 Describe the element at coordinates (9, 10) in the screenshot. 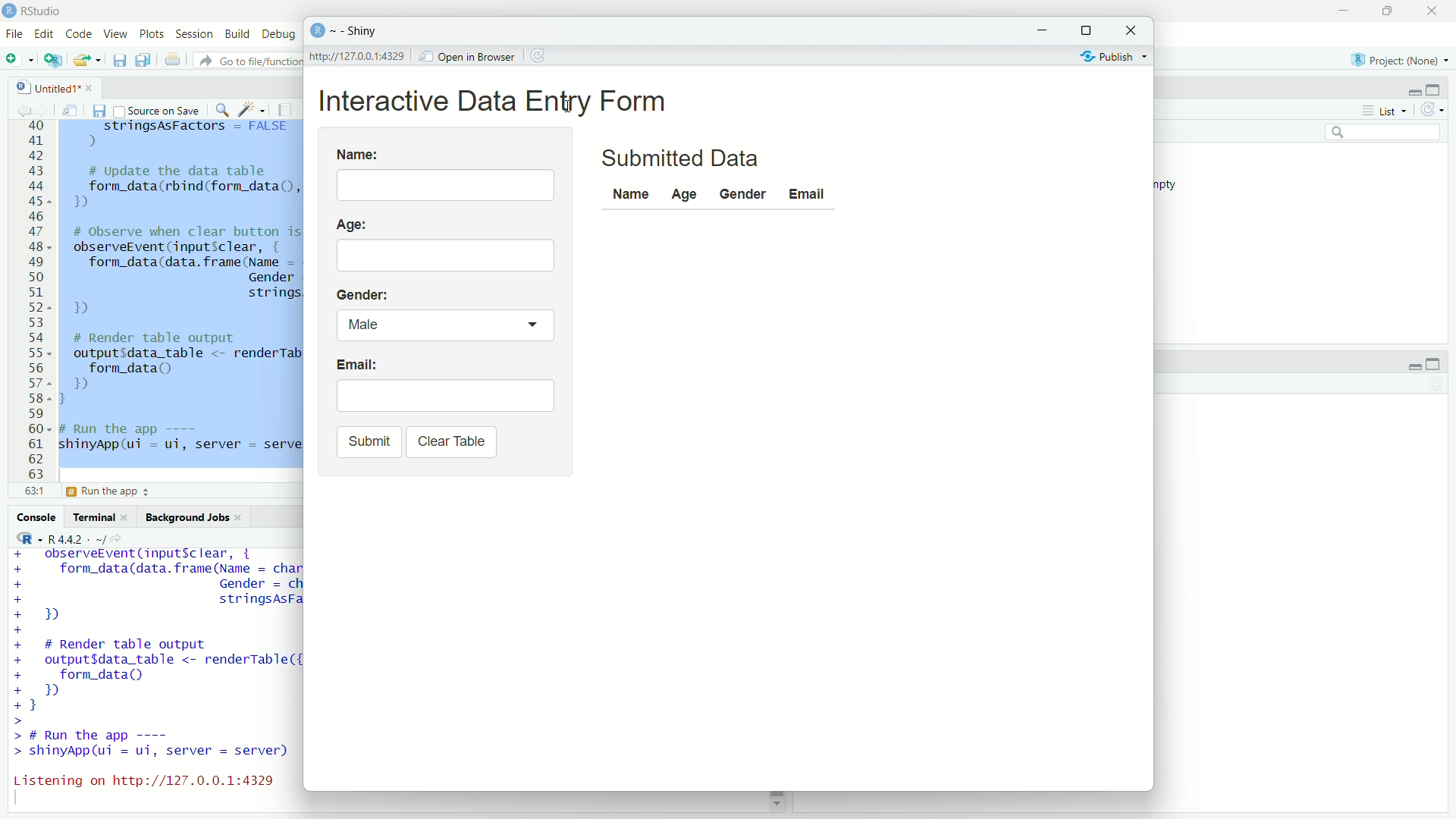

I see `logo` at that location.